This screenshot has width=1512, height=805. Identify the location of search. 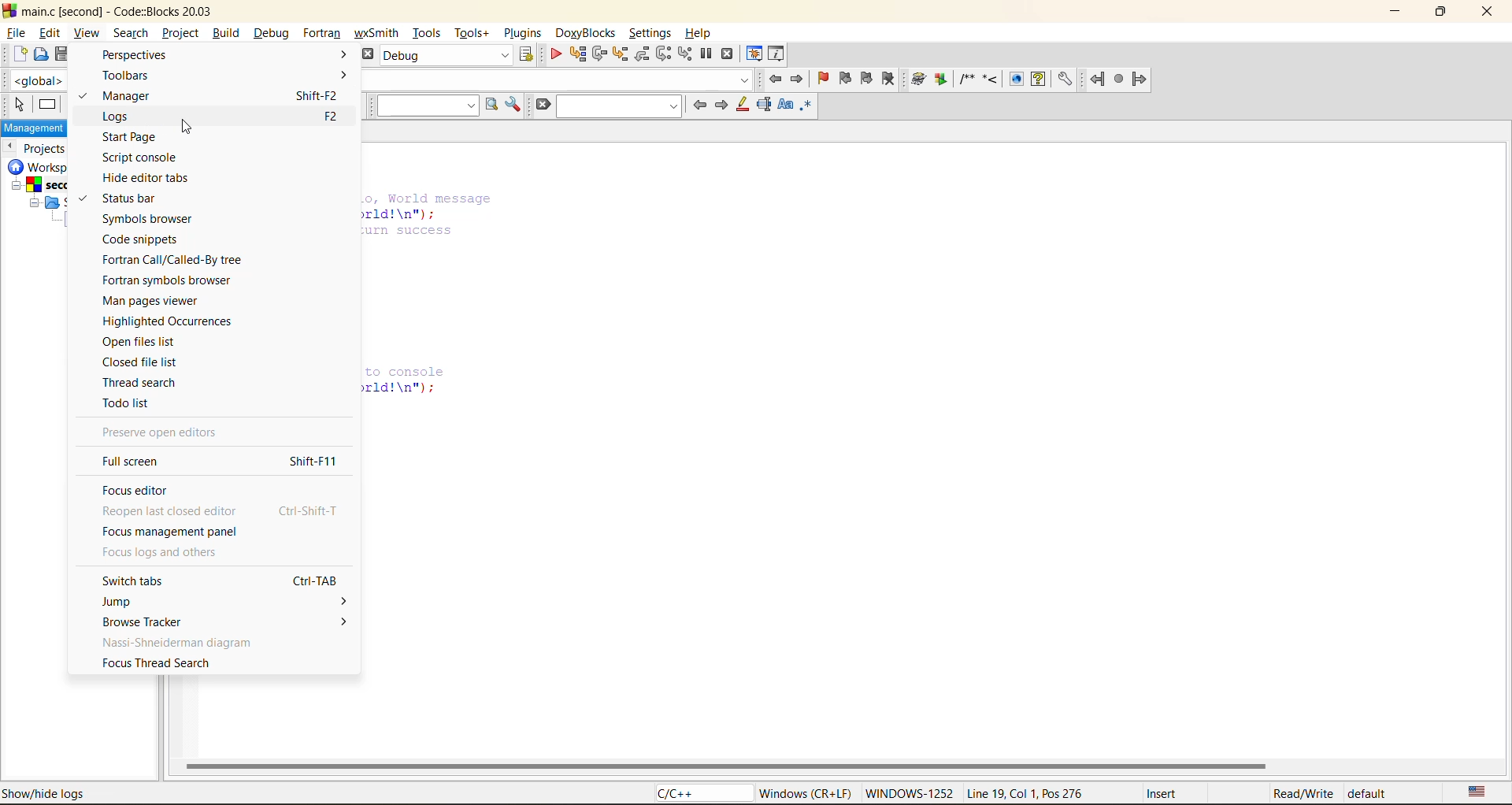
(128, 33).